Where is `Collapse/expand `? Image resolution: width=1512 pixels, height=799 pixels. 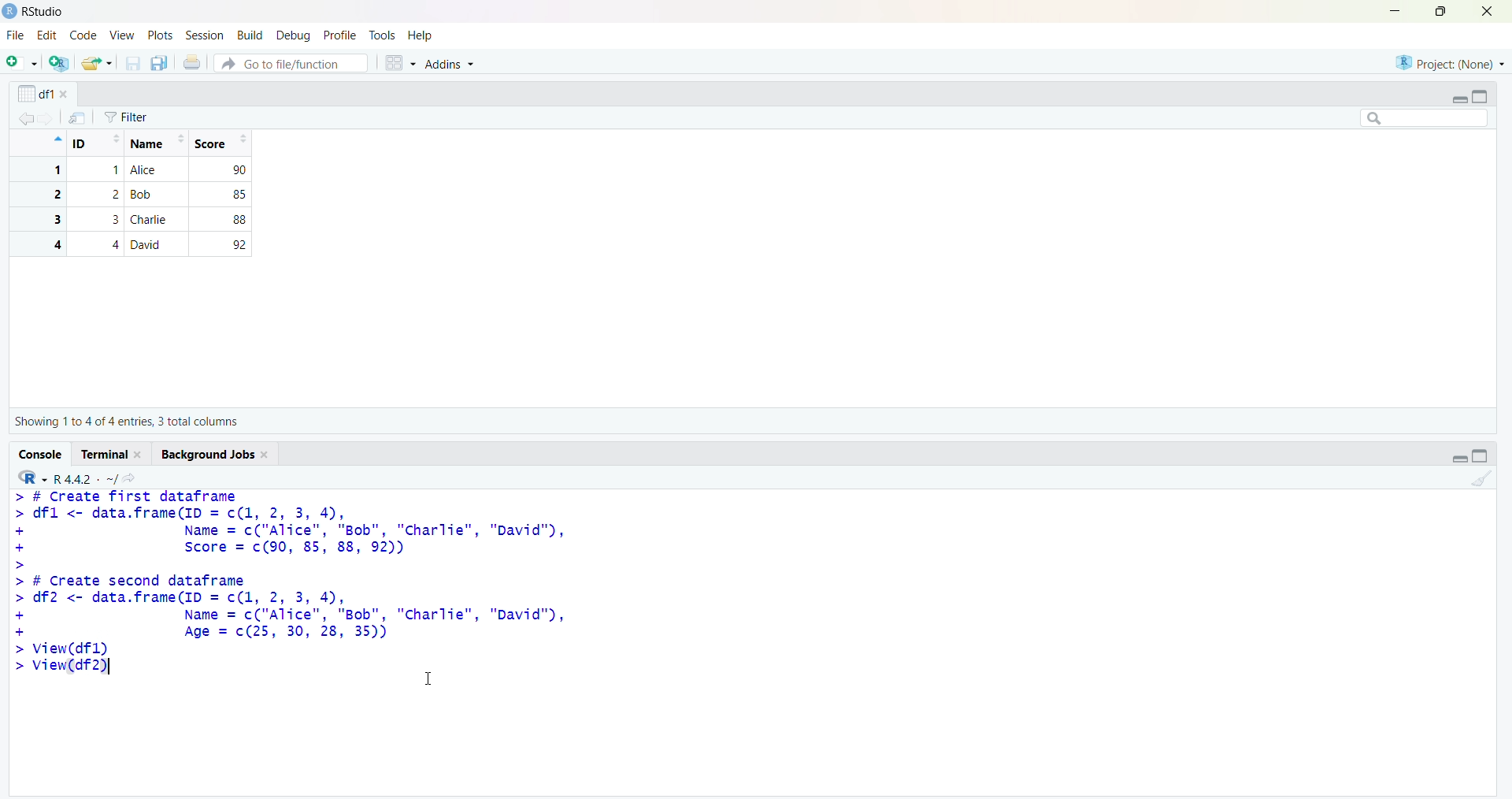 Collapse/expand  is located at coordinates (1458, 100).